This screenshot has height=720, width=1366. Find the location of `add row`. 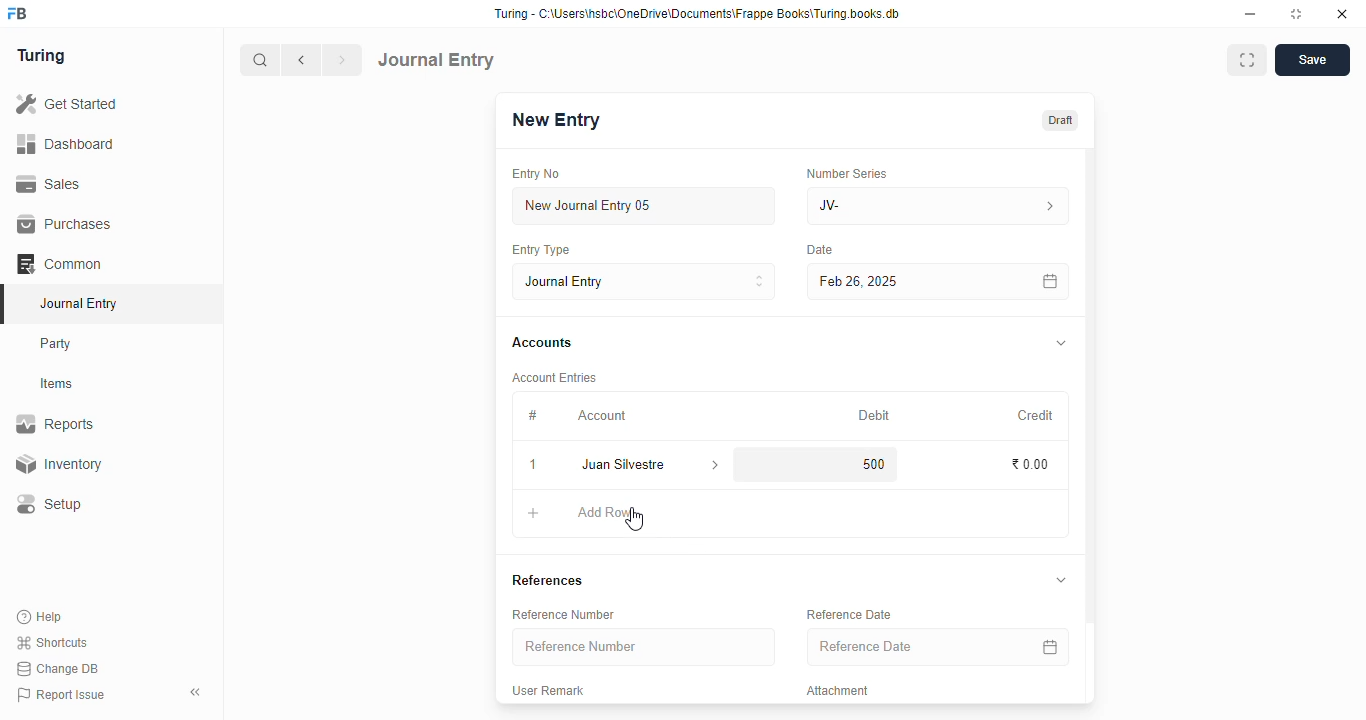

add row is located at coordinates (605, 512).